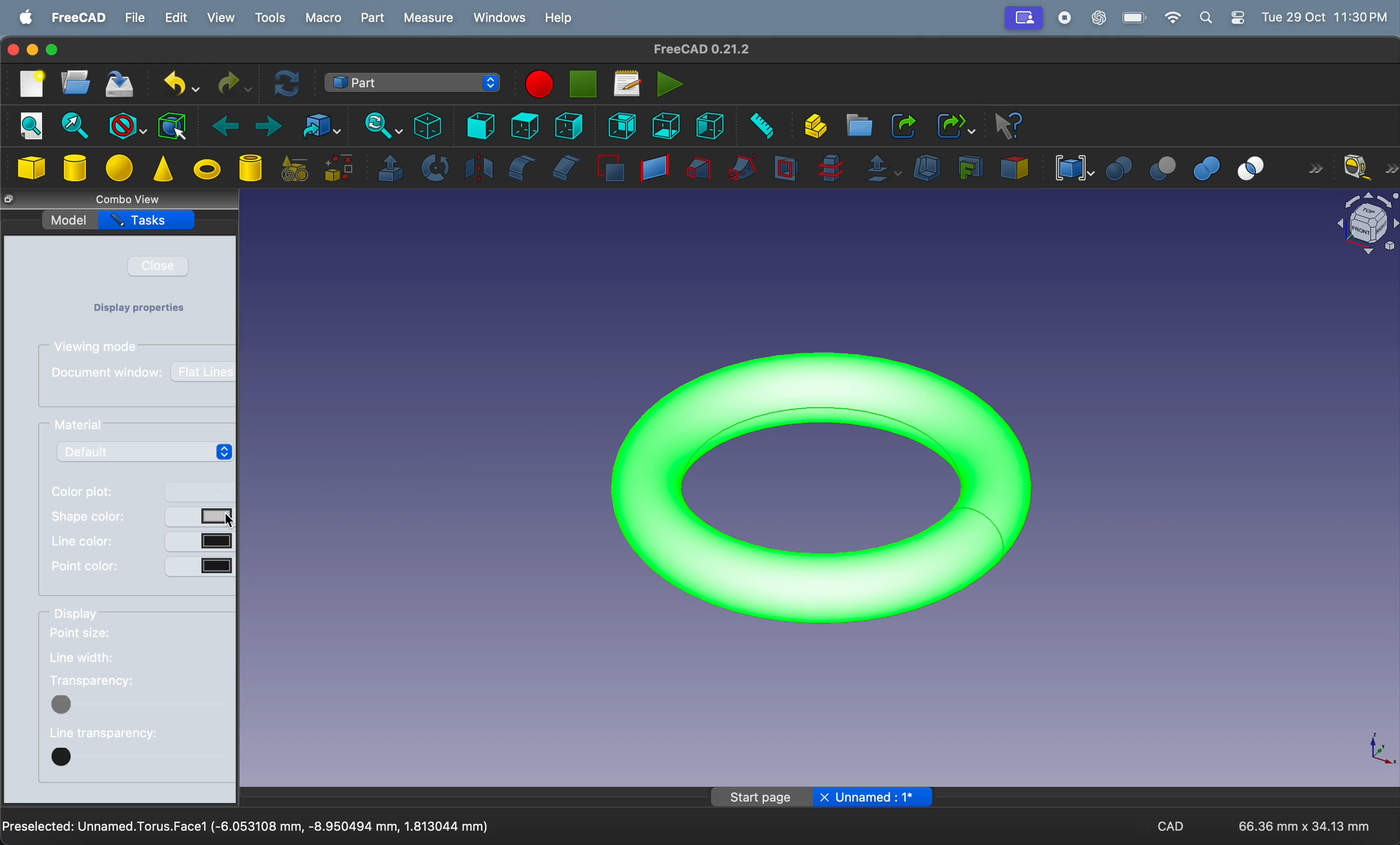 The height and width of the screenshot is (845, 1400). I want to click on Preselected Unamed, so click(248, 827).